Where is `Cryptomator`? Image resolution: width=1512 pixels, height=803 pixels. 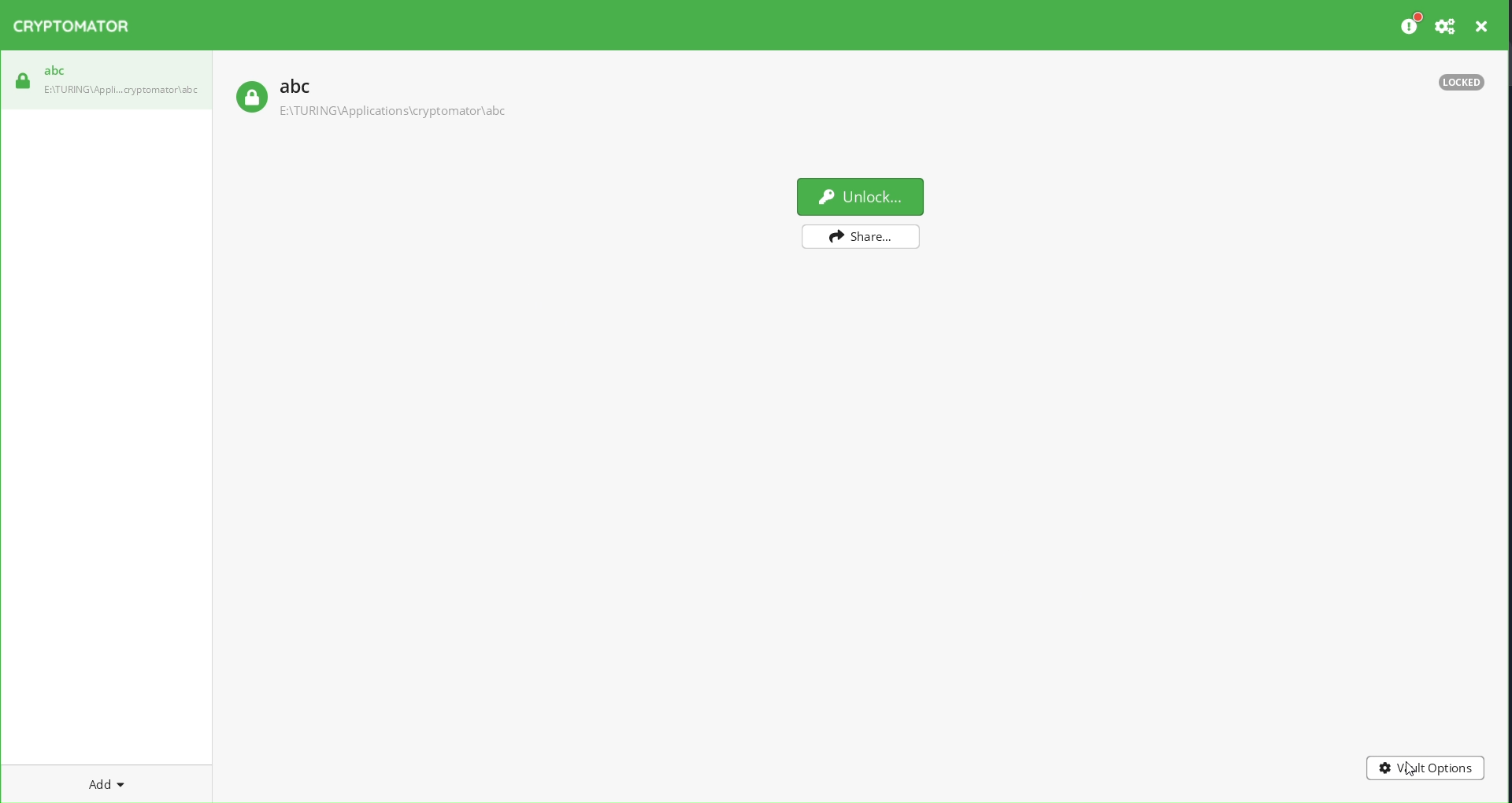 Cryptomator is located at coordinates (77, 28).